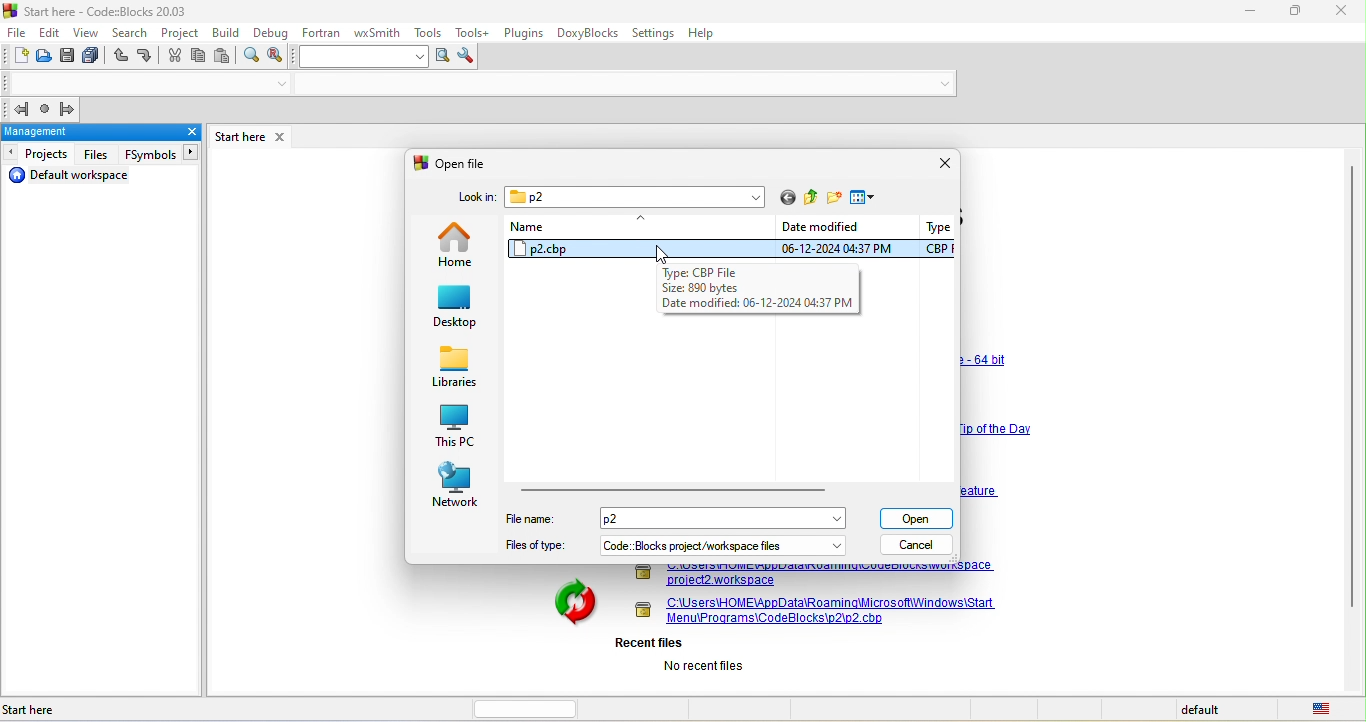 Image resolution: width=1366 pixels, height=722 pixels. Describe the element at coordinates (444, 56) in the screenshot. I see `run search` at that location.